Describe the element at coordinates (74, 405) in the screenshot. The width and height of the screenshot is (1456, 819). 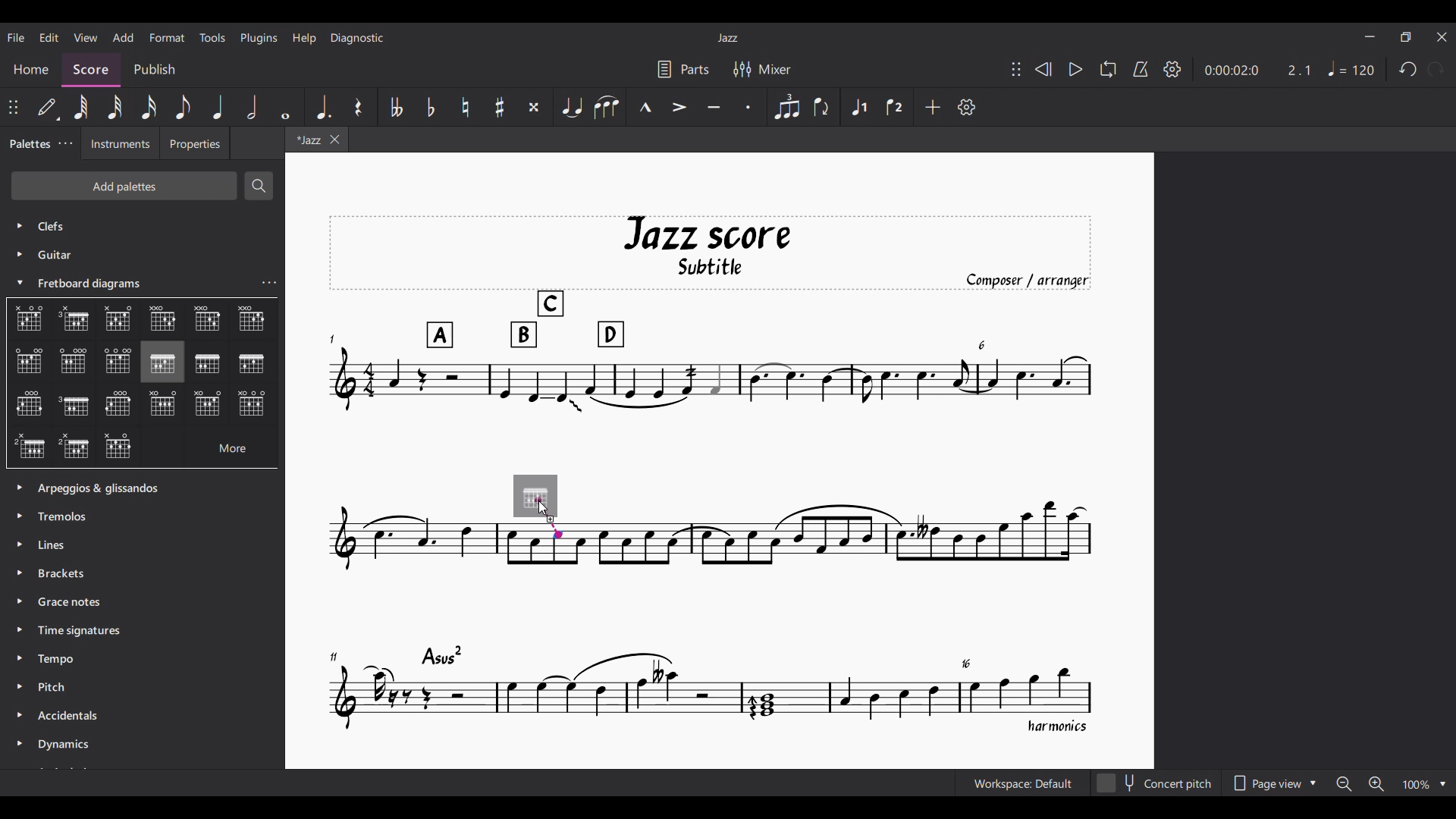
I see `Chart 13` at that location.